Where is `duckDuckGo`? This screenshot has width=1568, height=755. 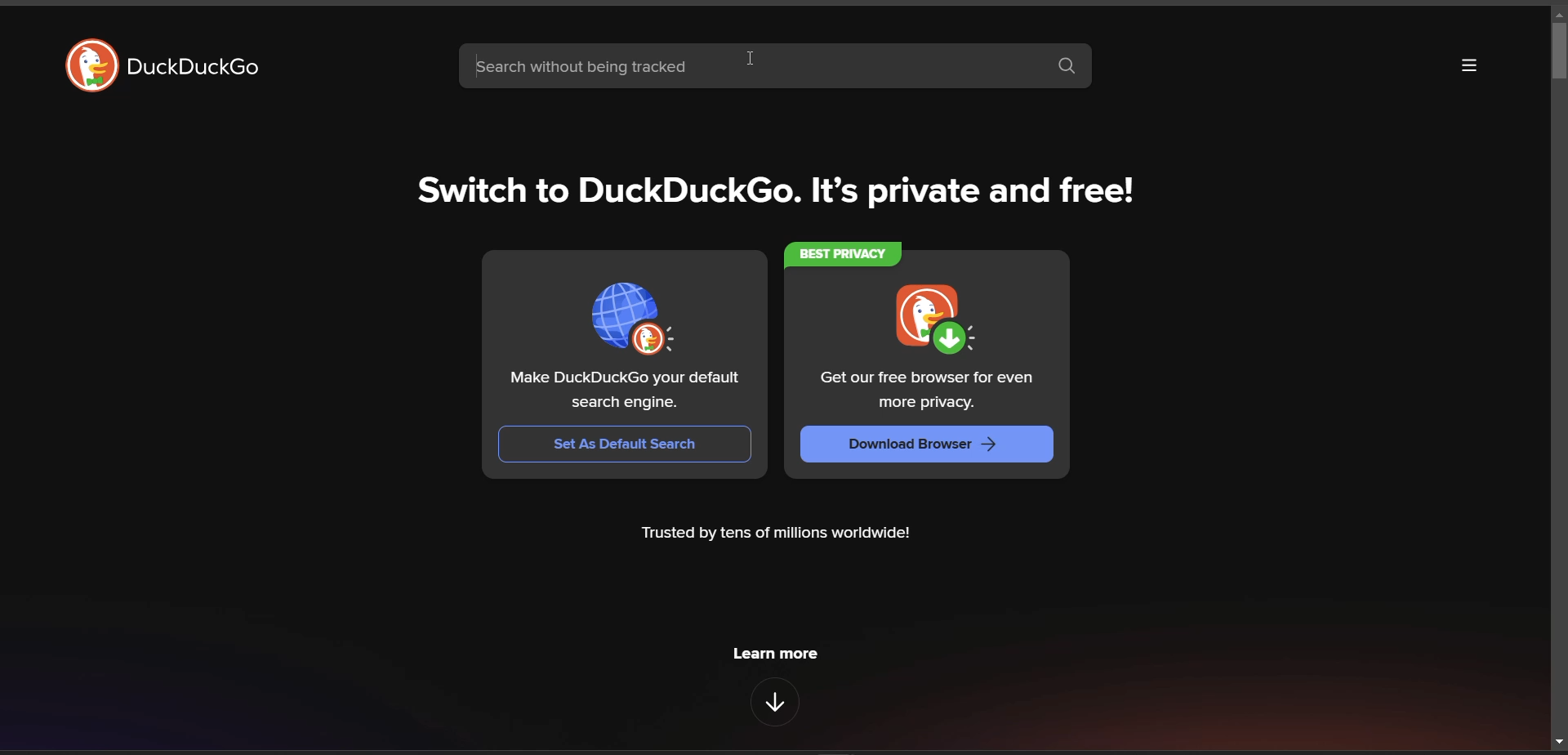 duckDuckGo is located at coordinates (199, 70).